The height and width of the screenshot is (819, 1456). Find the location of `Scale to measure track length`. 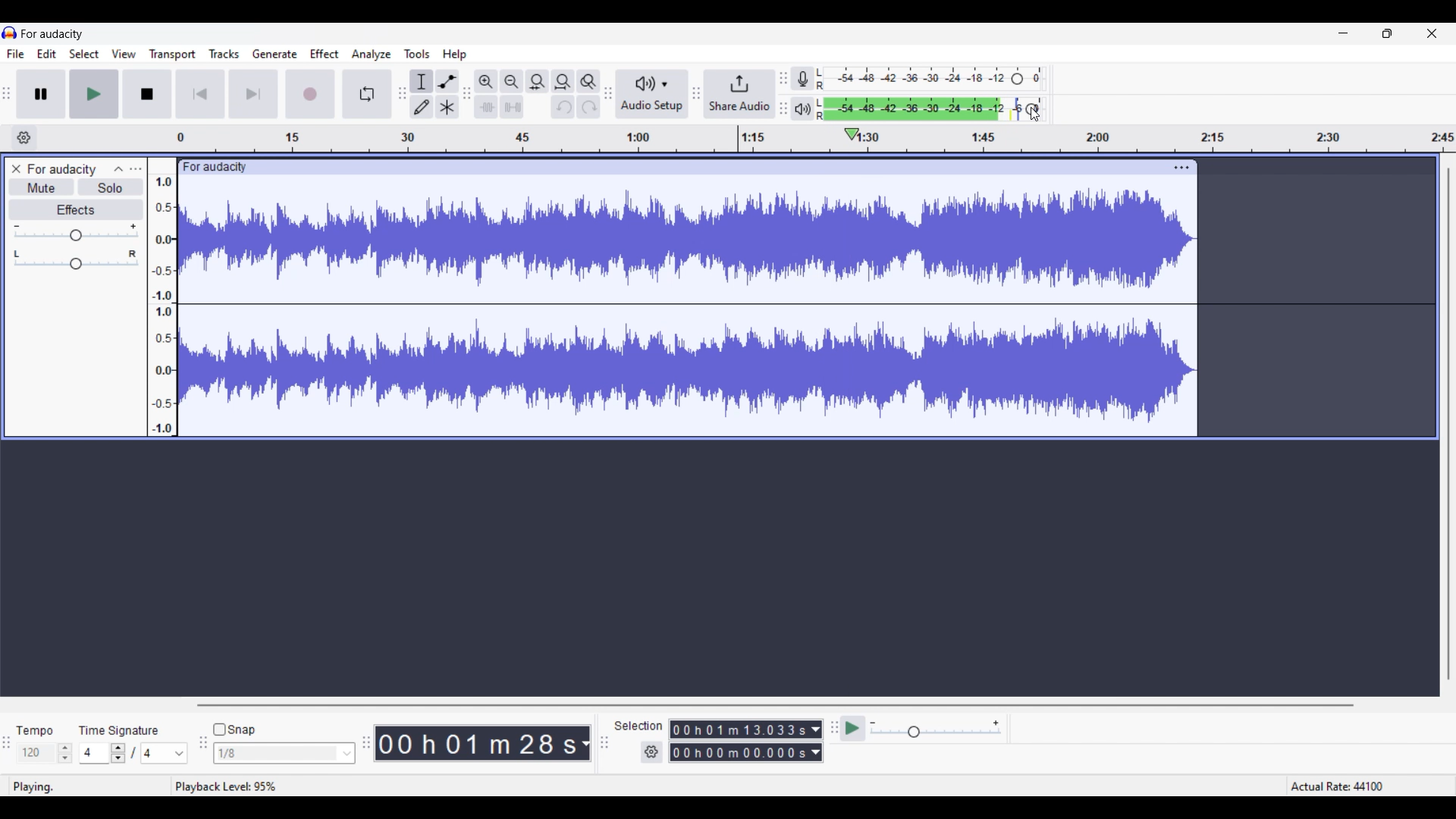

Scale to measure track length is located at coordinates (571, 138).